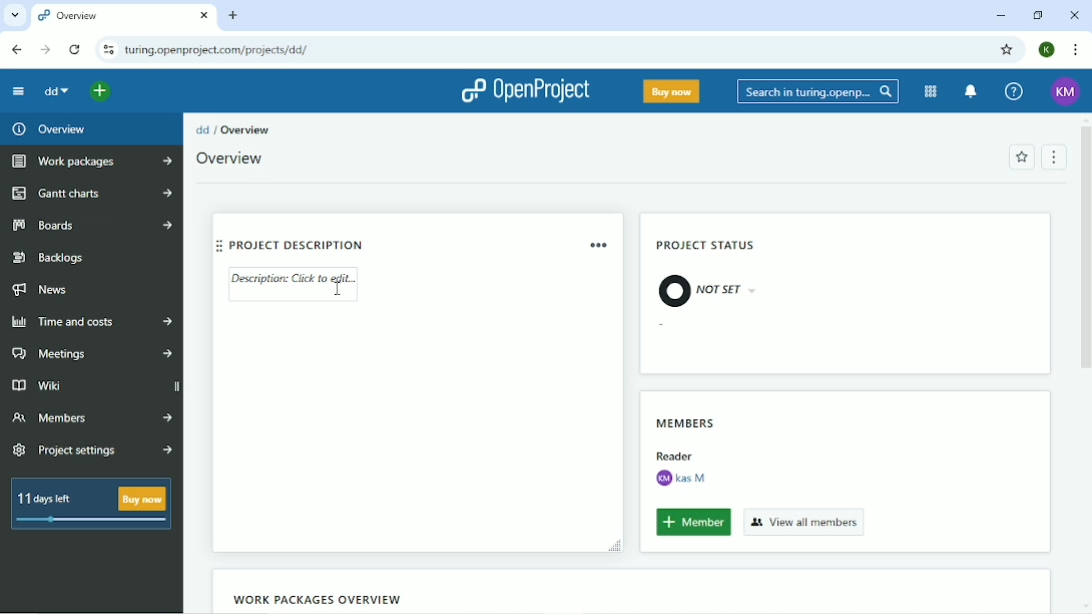  Describe the element at coordinates (18, 91) in the screenshot. I see `Collapse project menu` at that location.